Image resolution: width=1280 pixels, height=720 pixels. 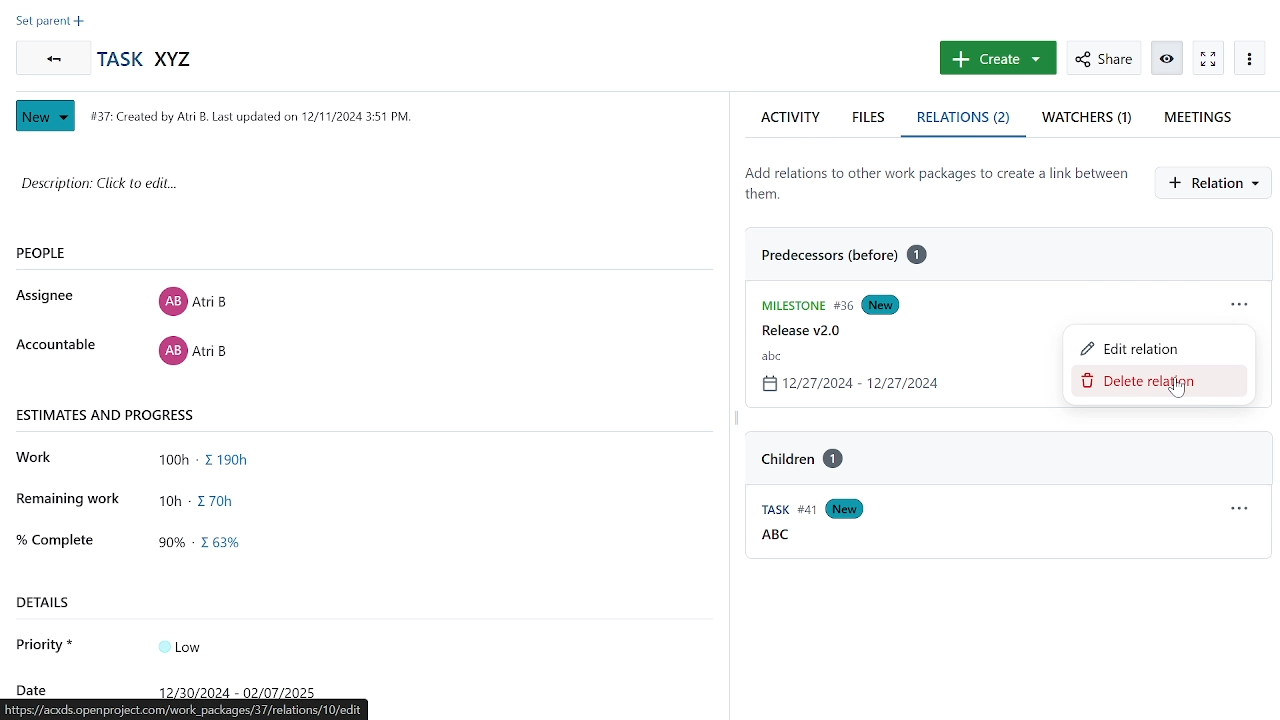 What do you see at coordinates (769, 356) in the screenshot?
I see `task name "abc"` at bounding box center [769, 356].